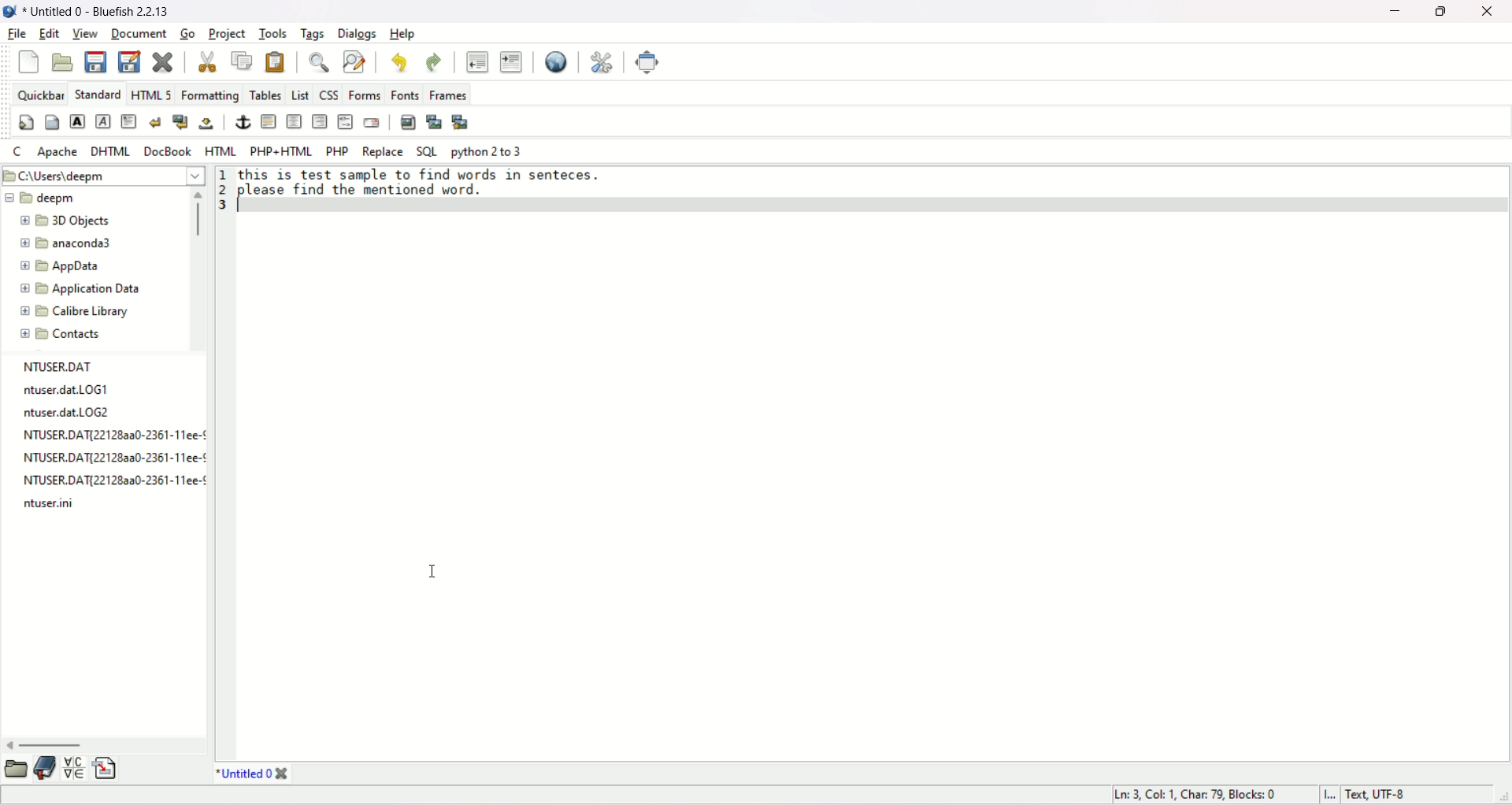 The image size is (1512, 805). Describe the element at coordinates (220, 150) in the screenshot. I see `HTML` at that location.